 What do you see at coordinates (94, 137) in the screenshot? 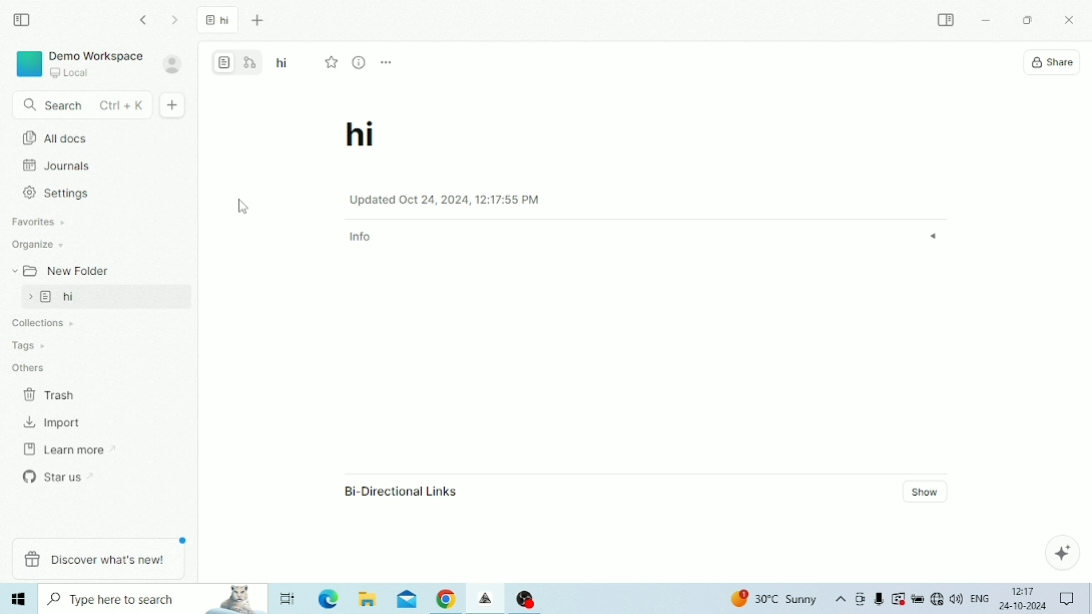
I see `All docs` at bounding box center [94, 137].